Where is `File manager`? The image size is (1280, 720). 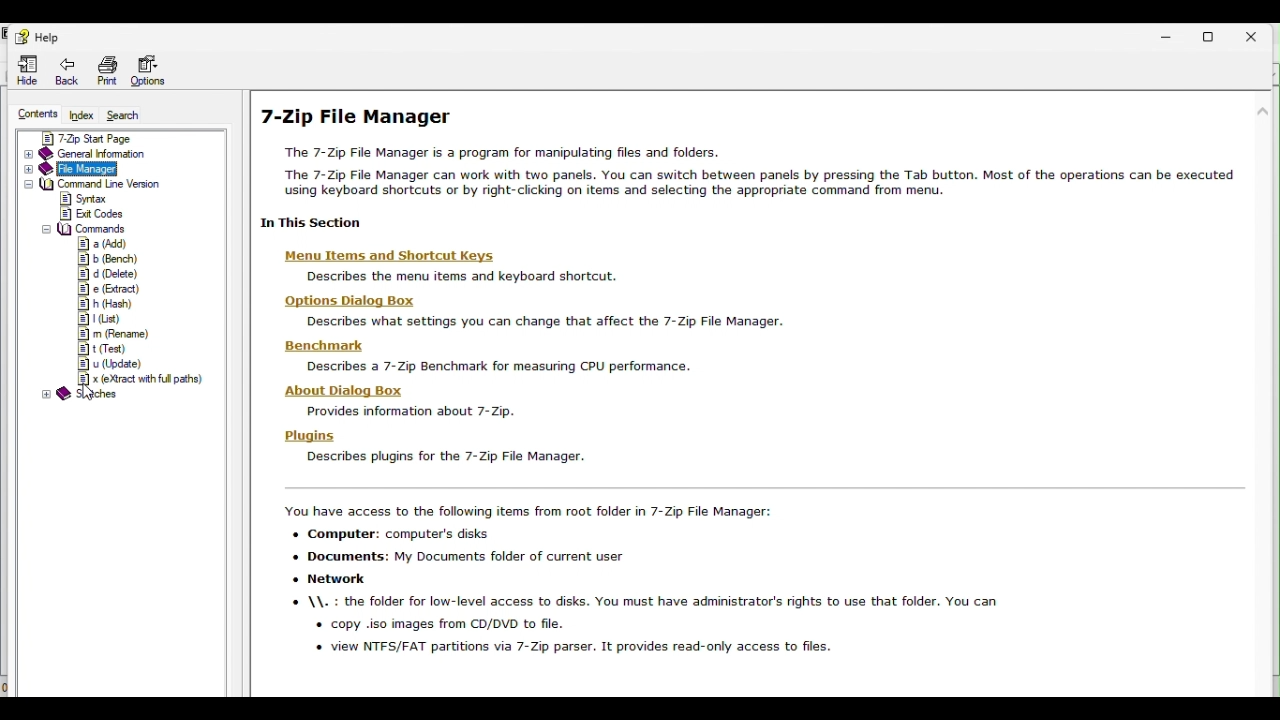 File manager is located at coordinates (83, 170).